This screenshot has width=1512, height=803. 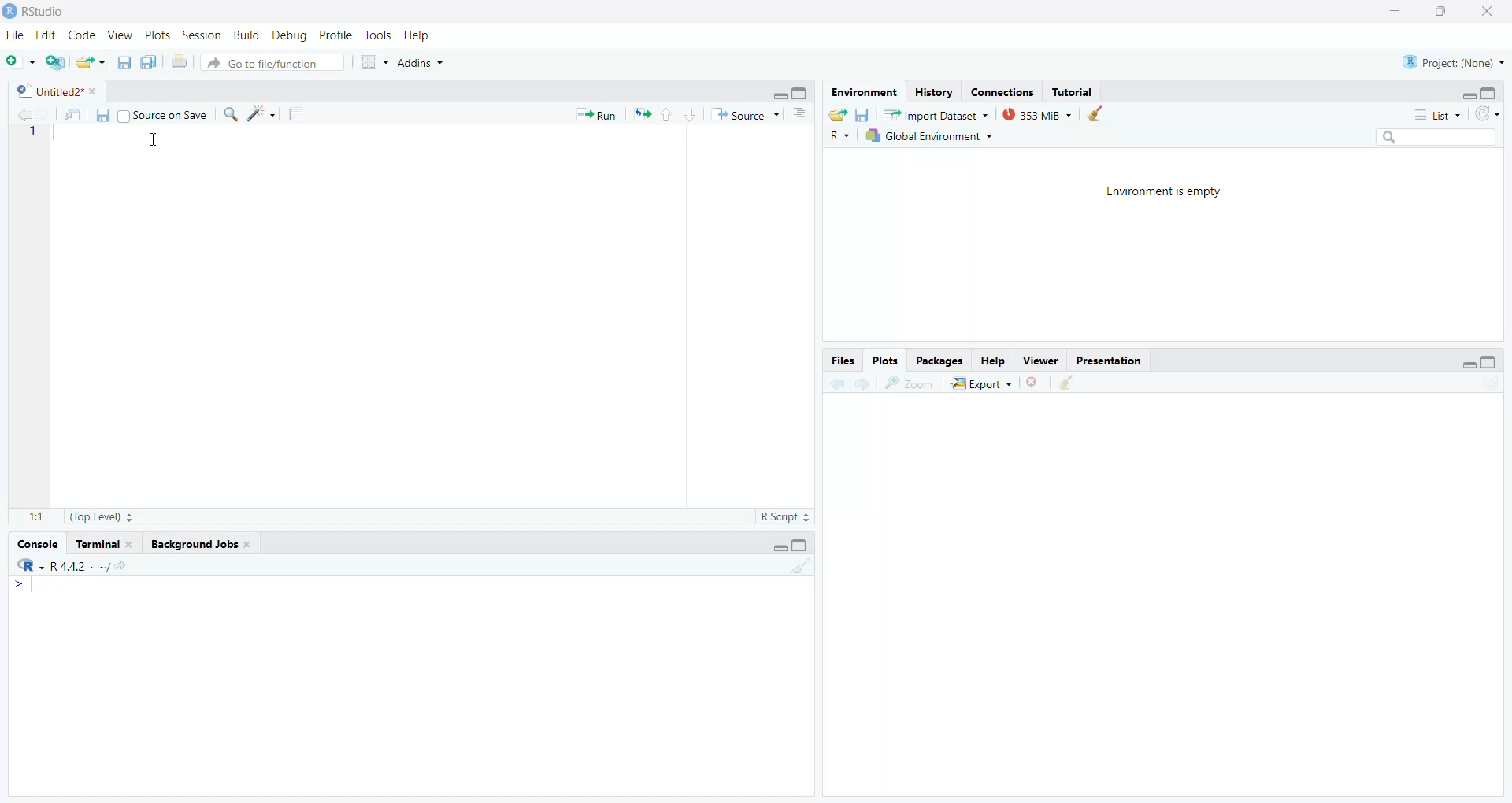 What do you see at coordinates (774, 94) in the screenshot?
I see `close r script` at bounding box center [774, 94].